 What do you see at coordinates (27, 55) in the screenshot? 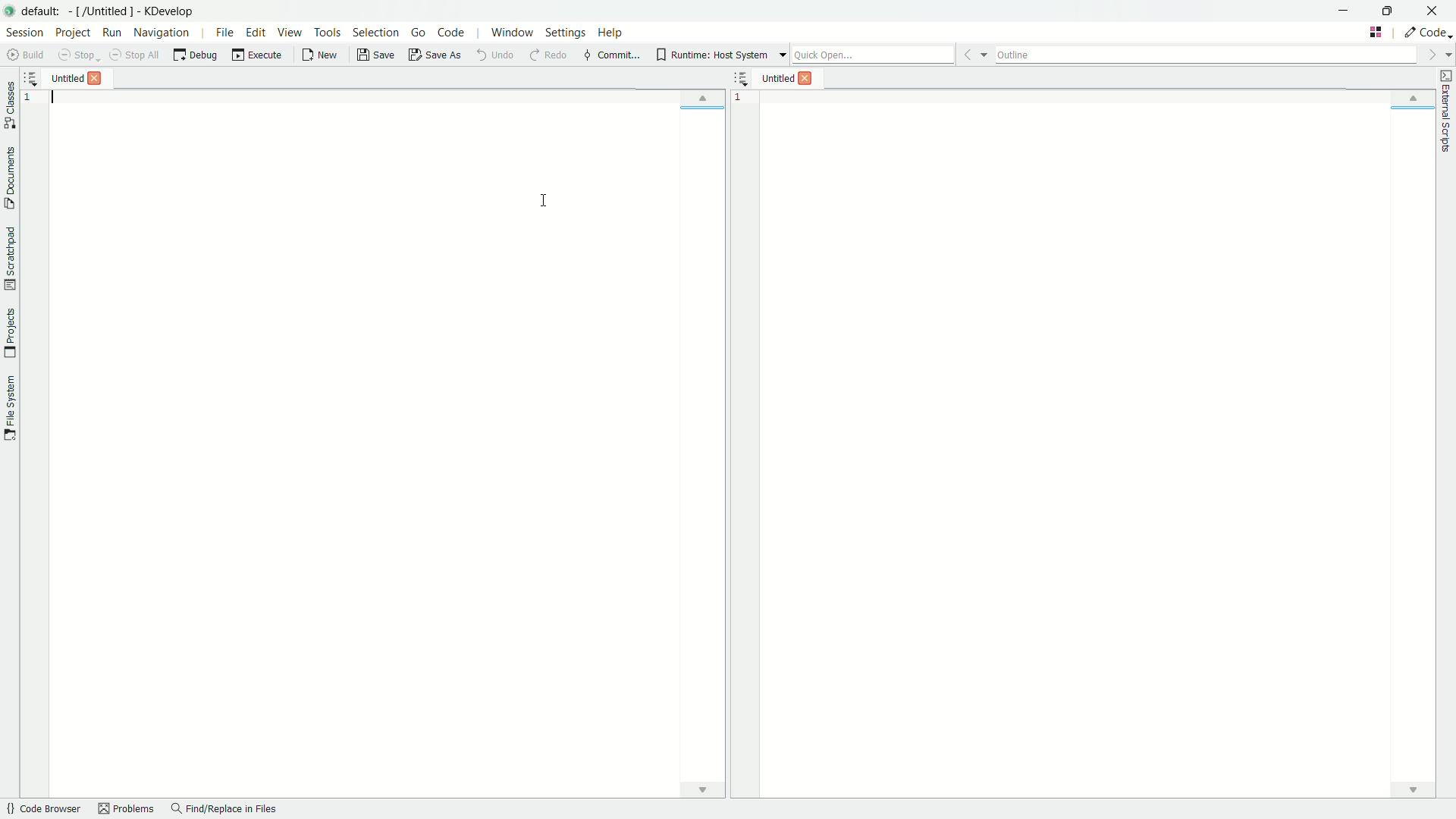
I see `build` at bounding box center [27, 55].